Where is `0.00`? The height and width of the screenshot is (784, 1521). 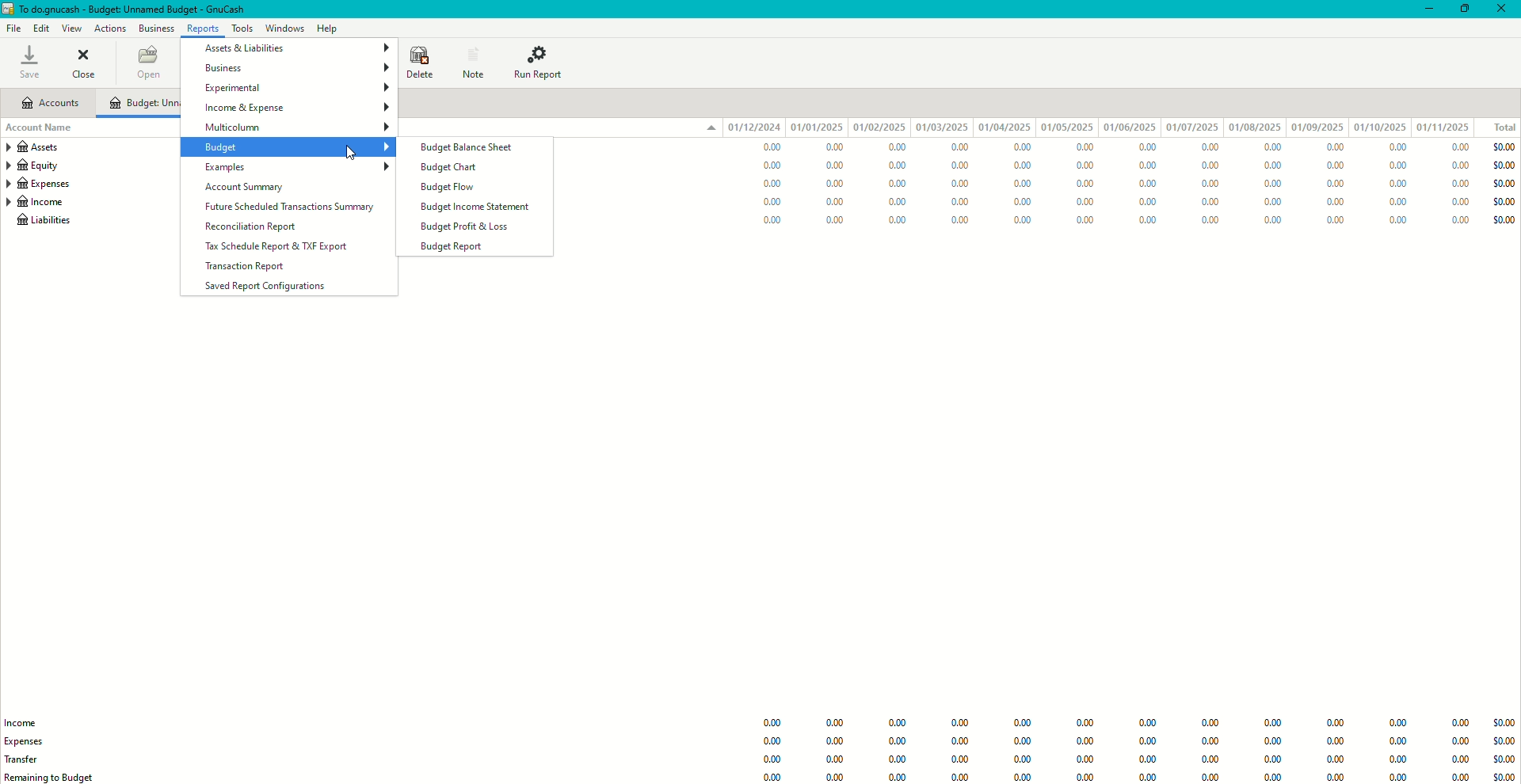 0.00 is located at coordinates (1147, 760).